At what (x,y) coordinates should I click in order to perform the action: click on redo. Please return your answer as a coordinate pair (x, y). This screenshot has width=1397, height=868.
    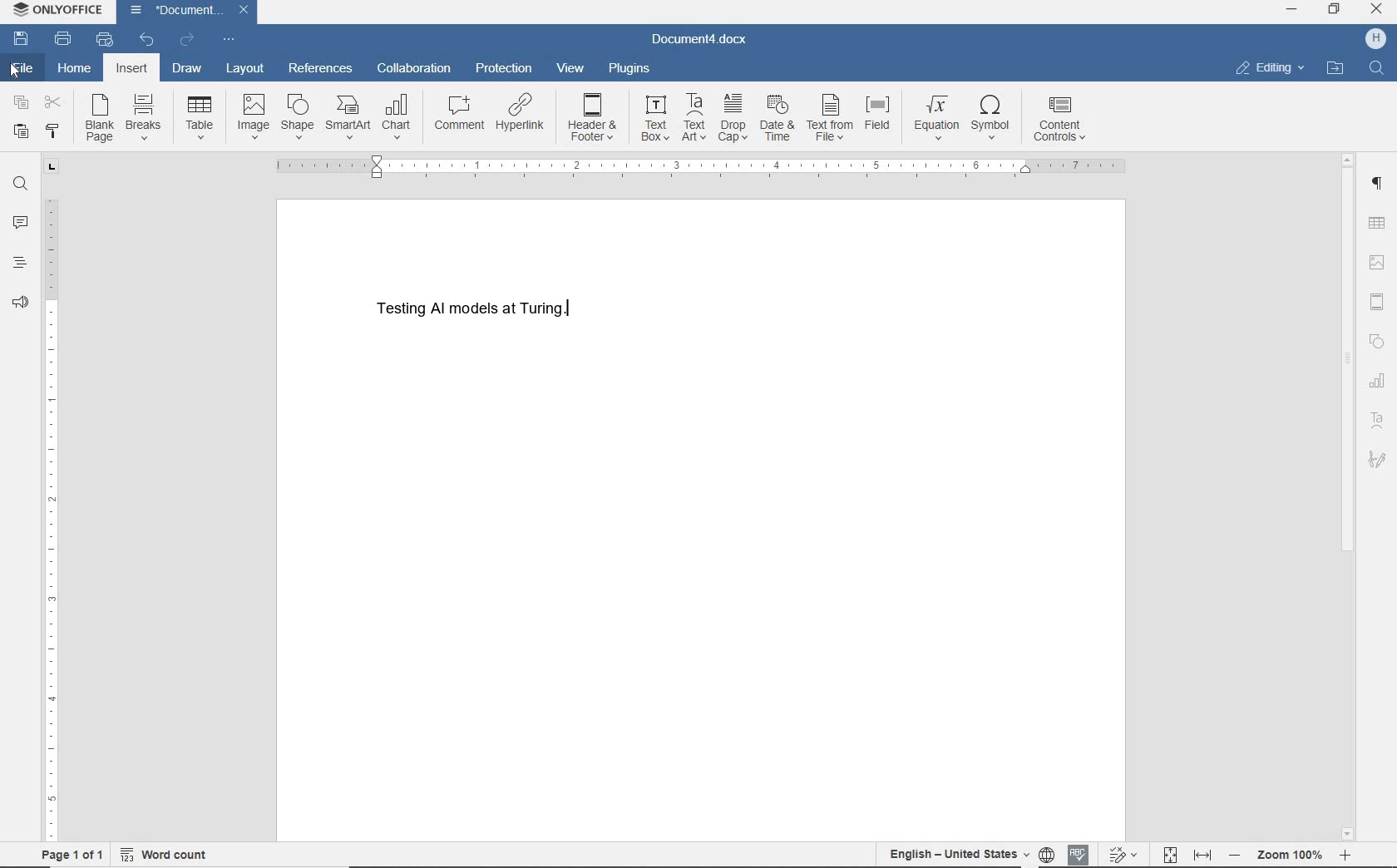
    Looking at the image, I should click on (185, 42).